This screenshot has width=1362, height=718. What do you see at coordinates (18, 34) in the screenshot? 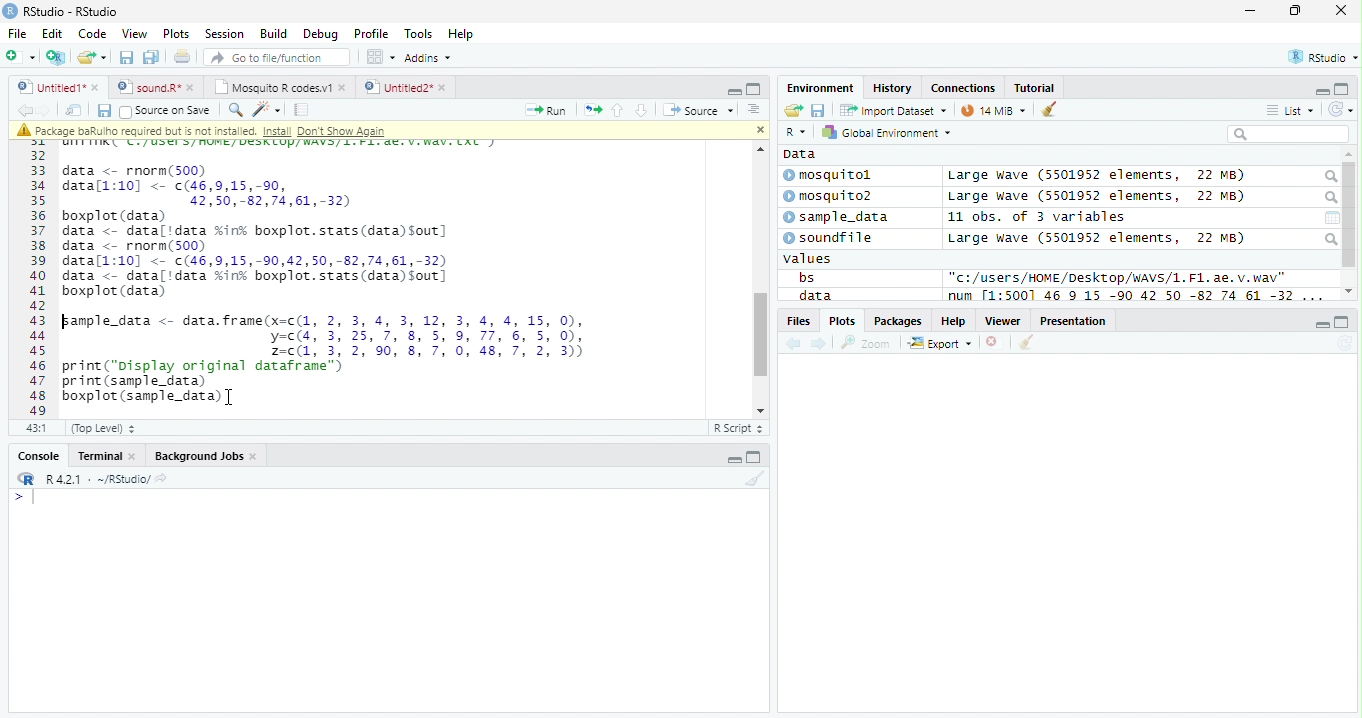
I see `File` at bounding box center [18, 34].